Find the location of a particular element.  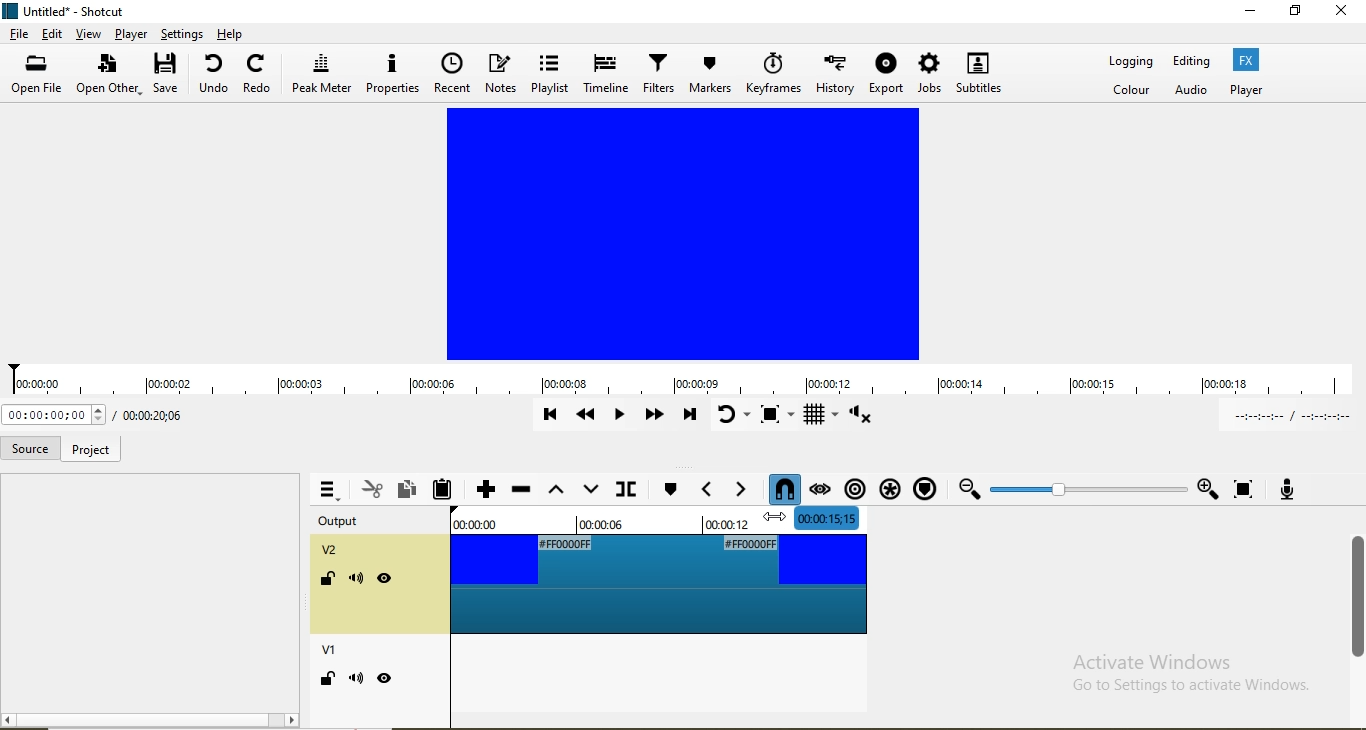

history is located at coordinates (836, 71).